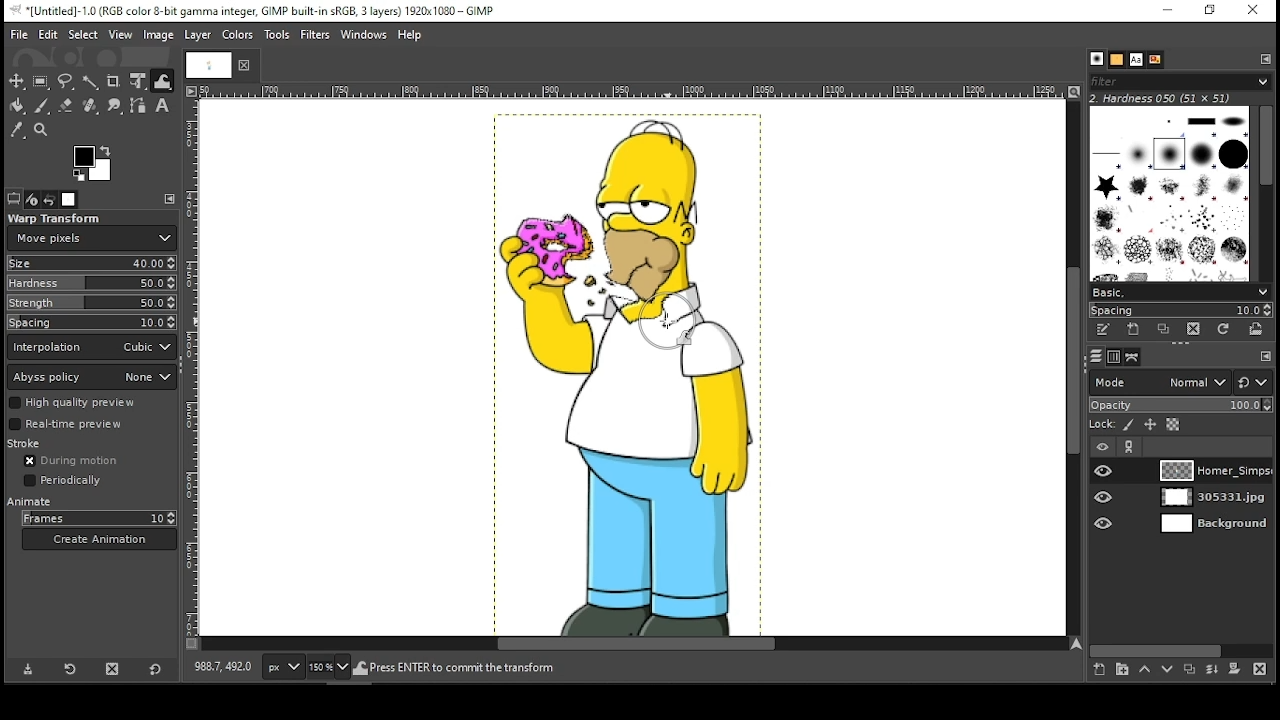  Describe the element at coordinates (1115, 357) in the screenshot. I see `channels` at that location.